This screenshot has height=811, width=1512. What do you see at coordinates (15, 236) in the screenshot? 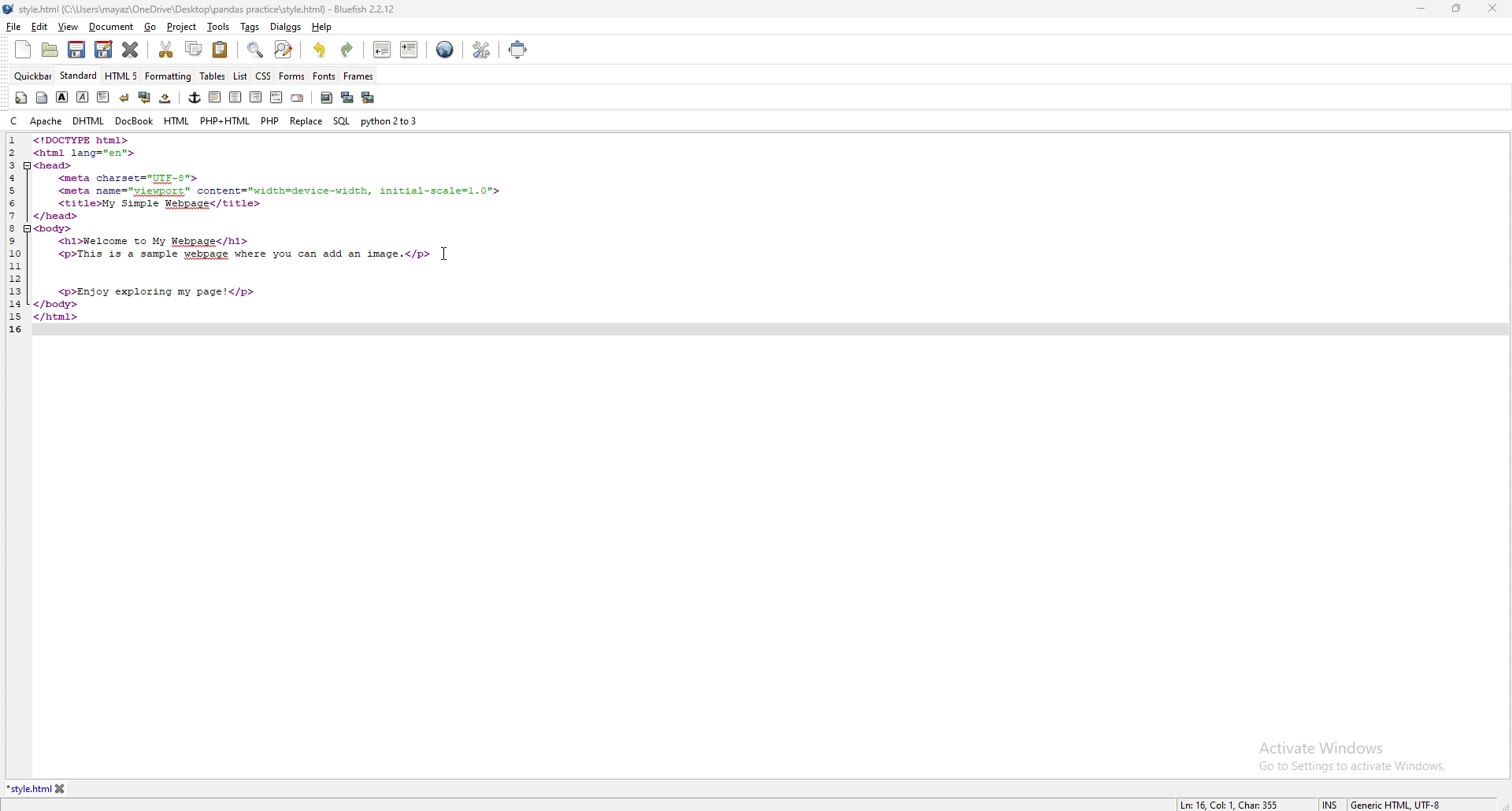
I see `1 2 3 4 5 6 7 8 9 10 11 12 13 14 15 16` at bounding box center [15, 236].